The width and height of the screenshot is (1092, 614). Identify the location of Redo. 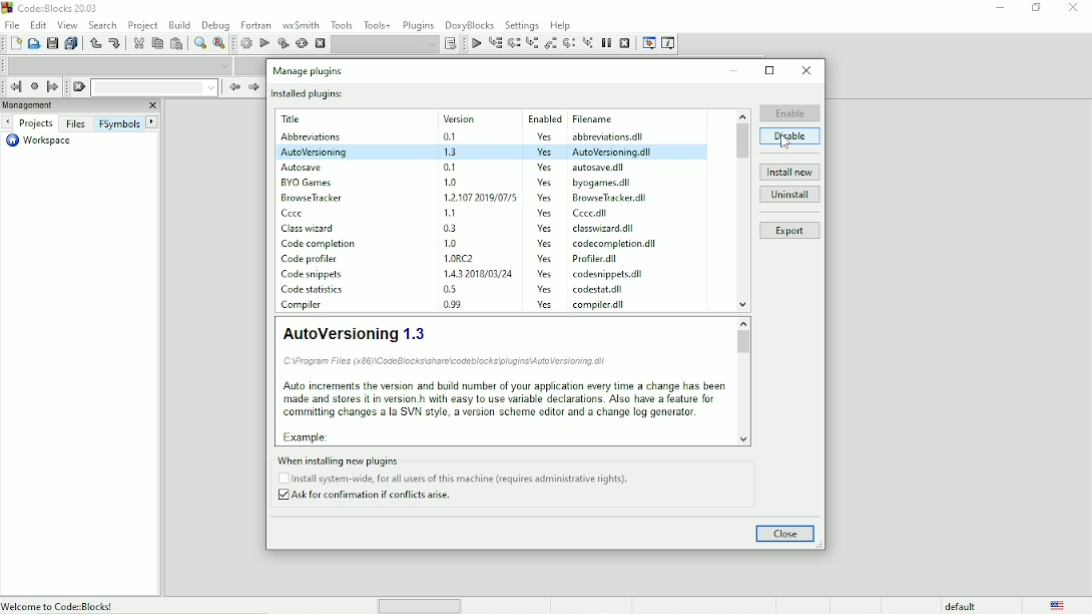
(114, 43).